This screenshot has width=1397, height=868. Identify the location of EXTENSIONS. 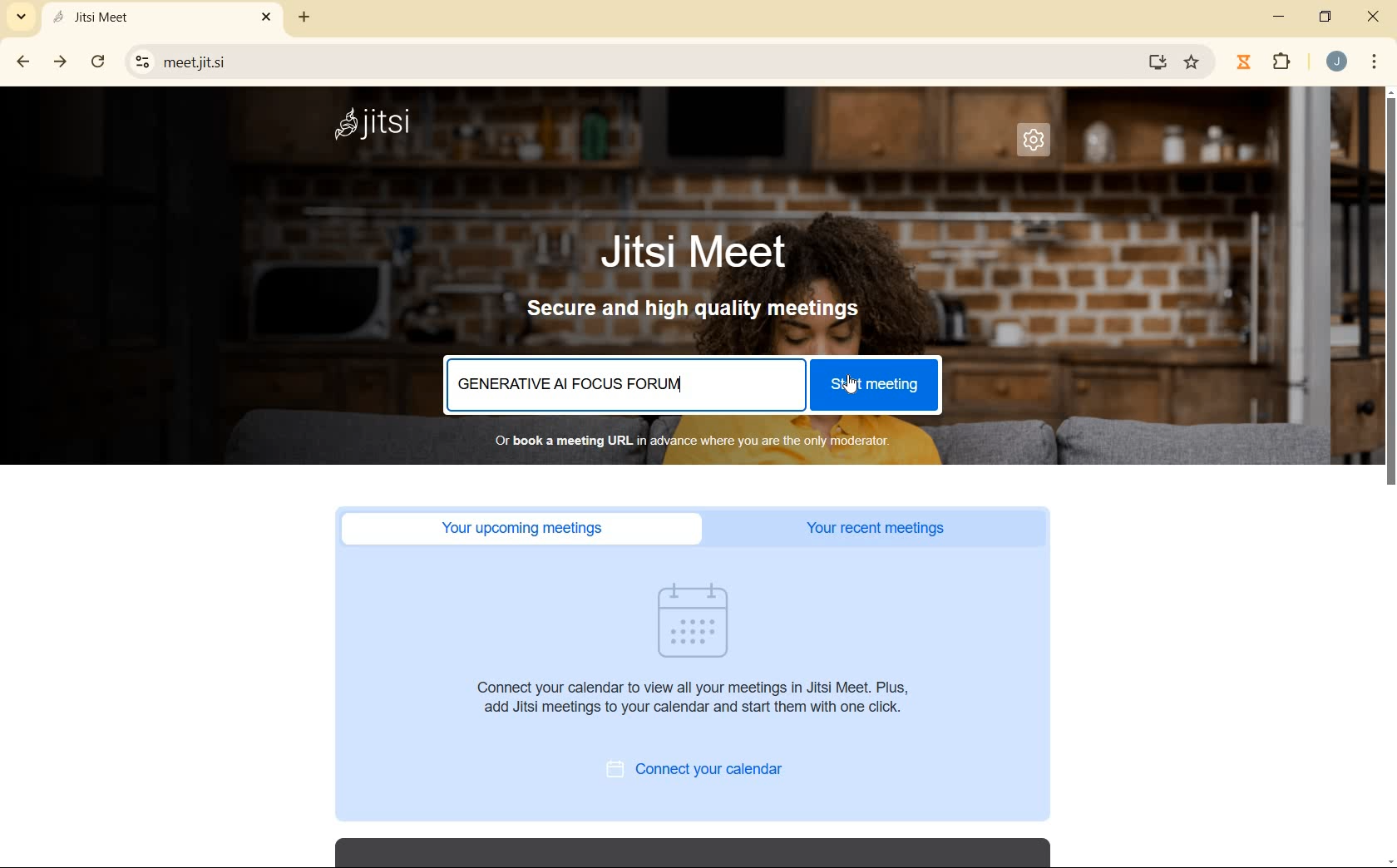
(1281, 64).